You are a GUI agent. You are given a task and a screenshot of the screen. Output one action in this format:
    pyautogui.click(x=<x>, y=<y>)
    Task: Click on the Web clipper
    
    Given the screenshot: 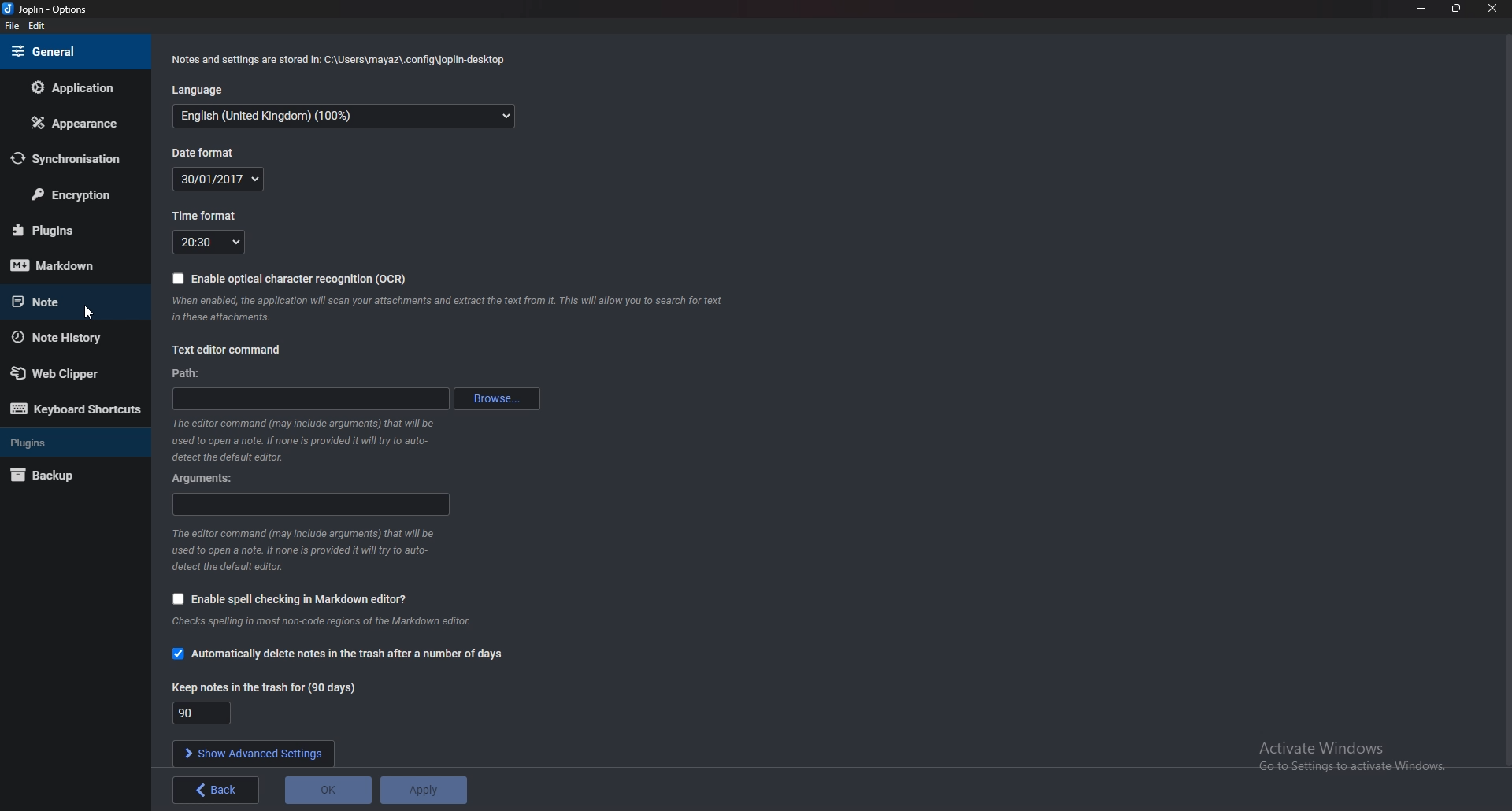 What is the action you would take?
    pyautogui.click(x=68, y=373)
    